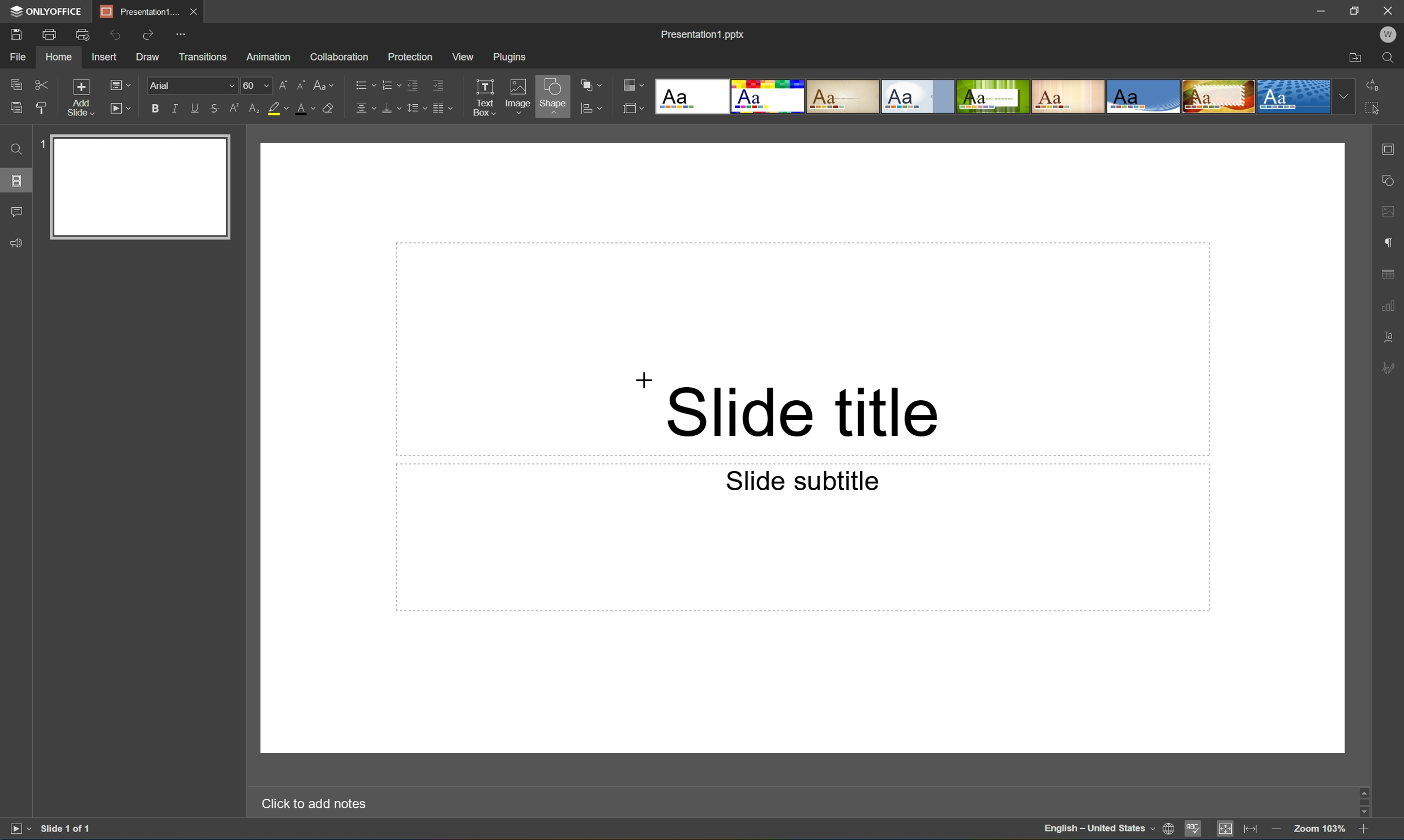  I want to click on Find, so click(14, 149).